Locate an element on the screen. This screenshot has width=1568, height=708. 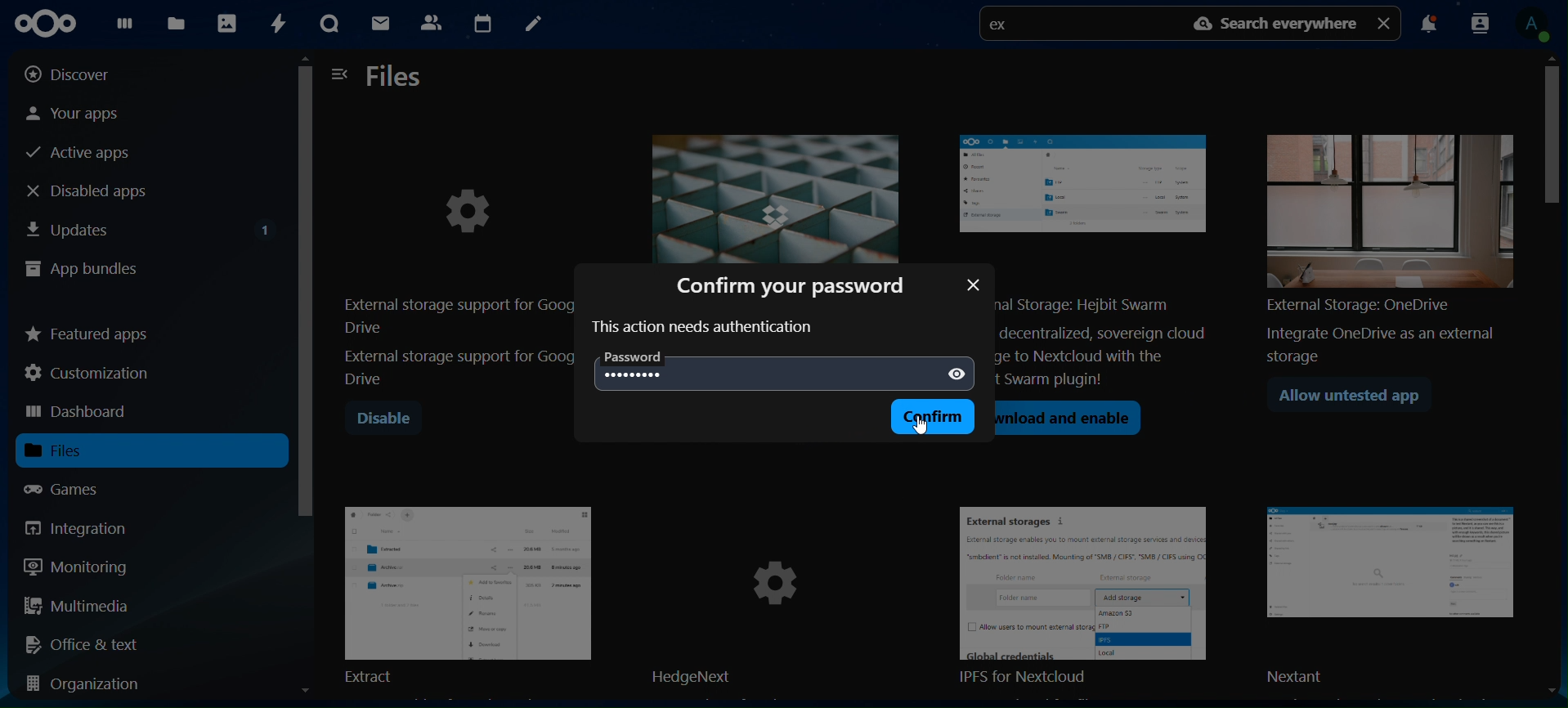
customization is located at coordinates (91, 373).